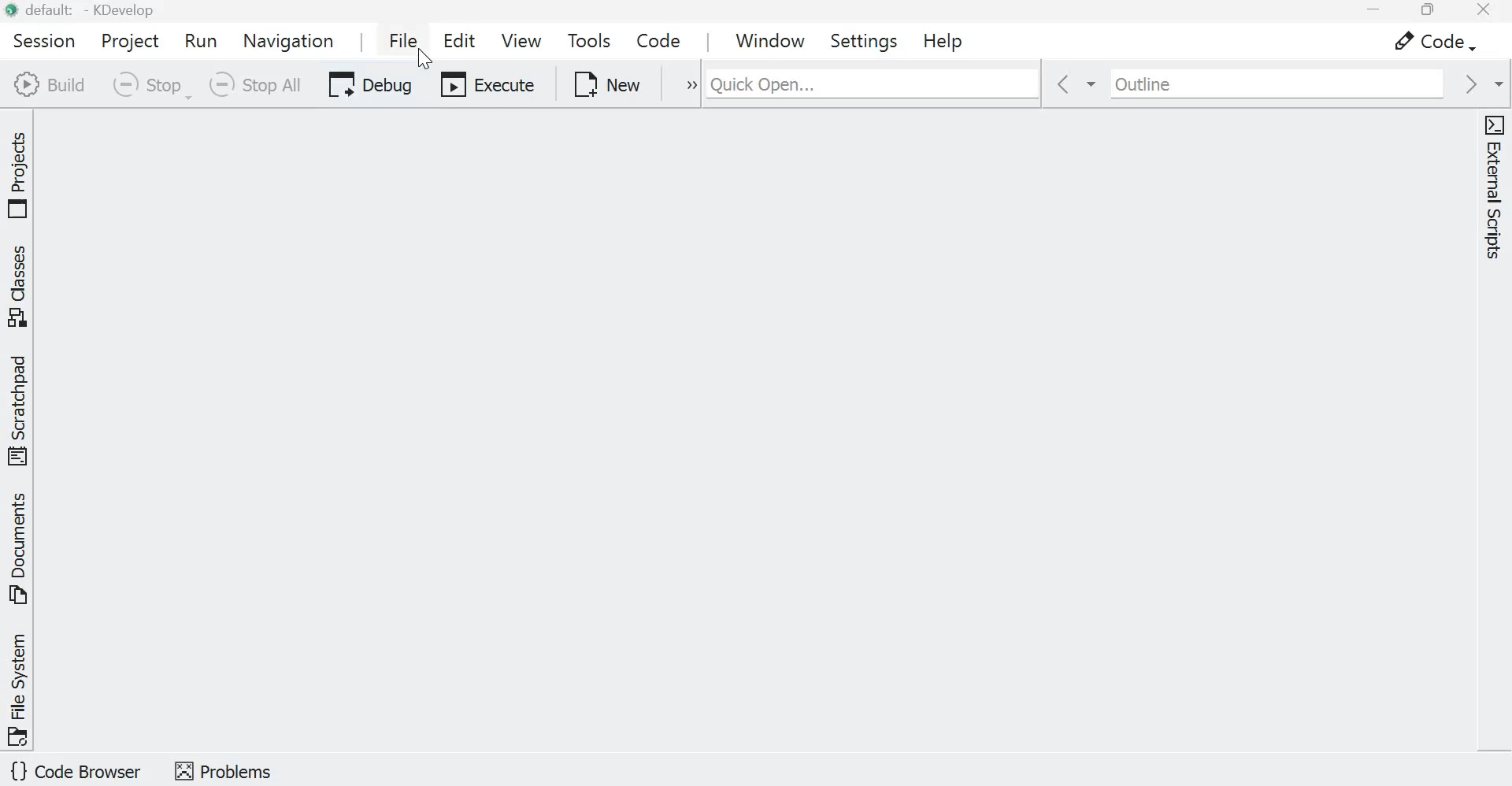  Describe the element at coordinates (771, 39) in the screenshot. I see `Window` at that location.